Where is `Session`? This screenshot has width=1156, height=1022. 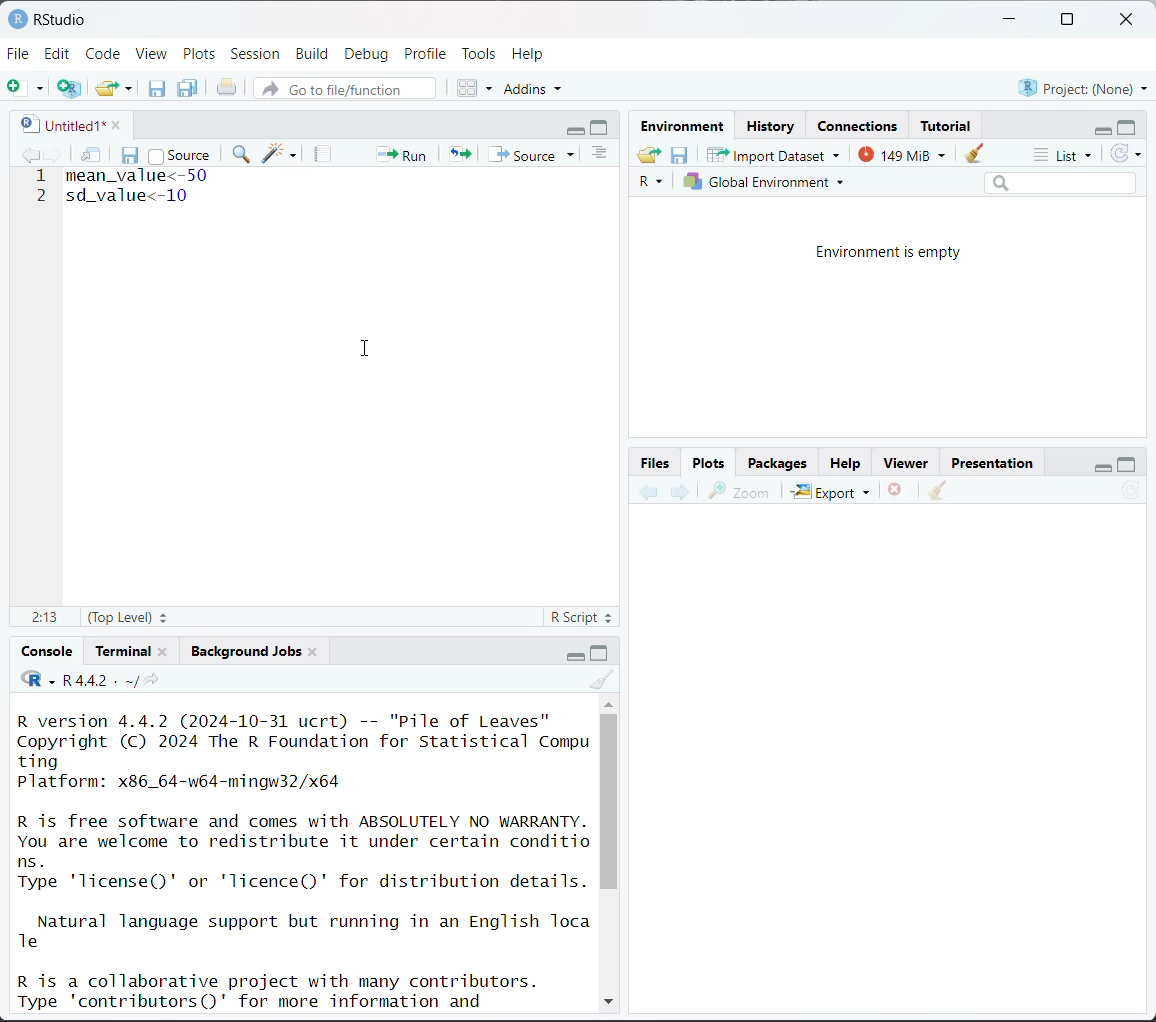 Session is located at coordinates (256, 55).